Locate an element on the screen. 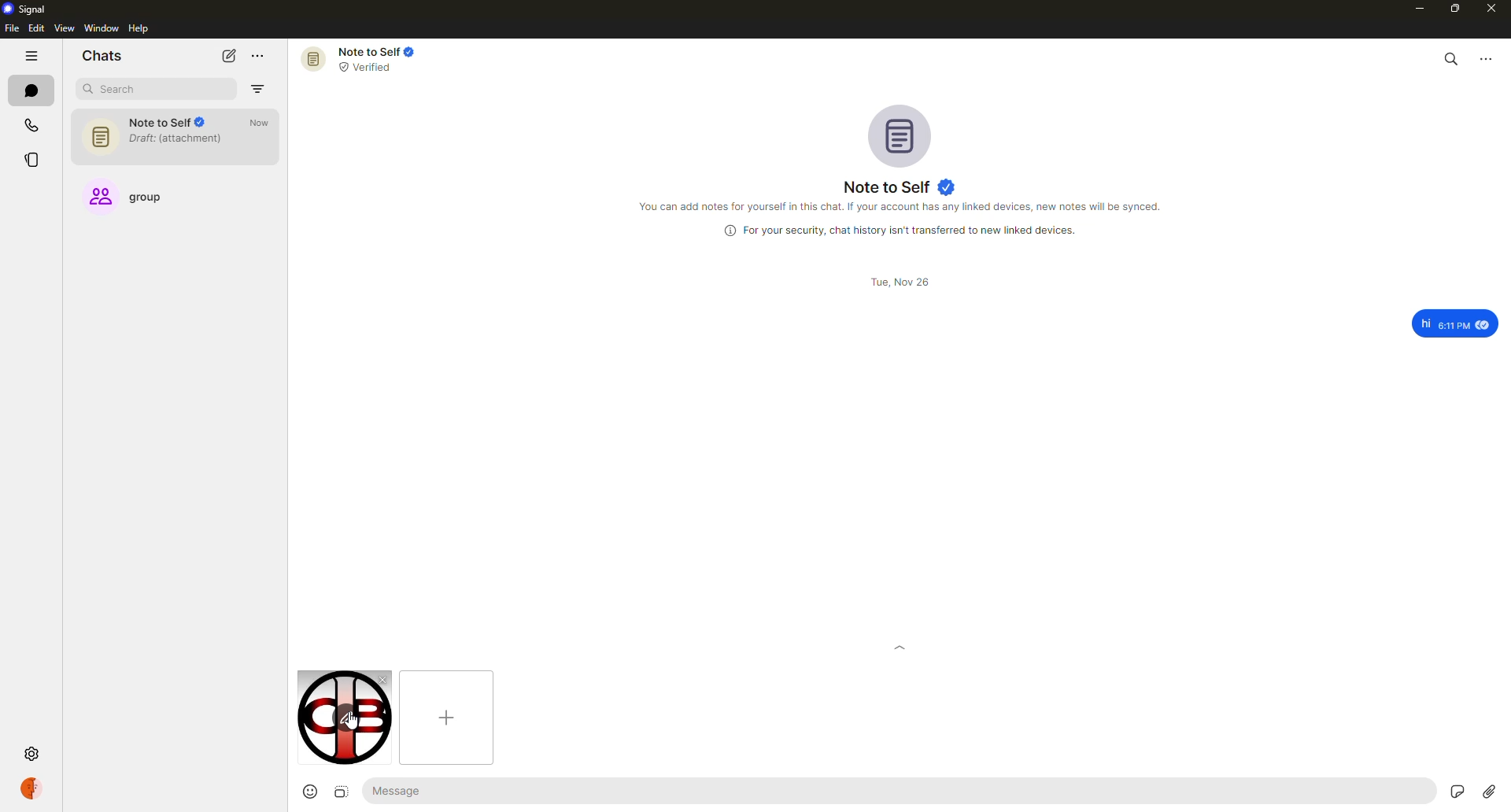 The image size is (1511, 812). chats is located at coordinates (102, 53).